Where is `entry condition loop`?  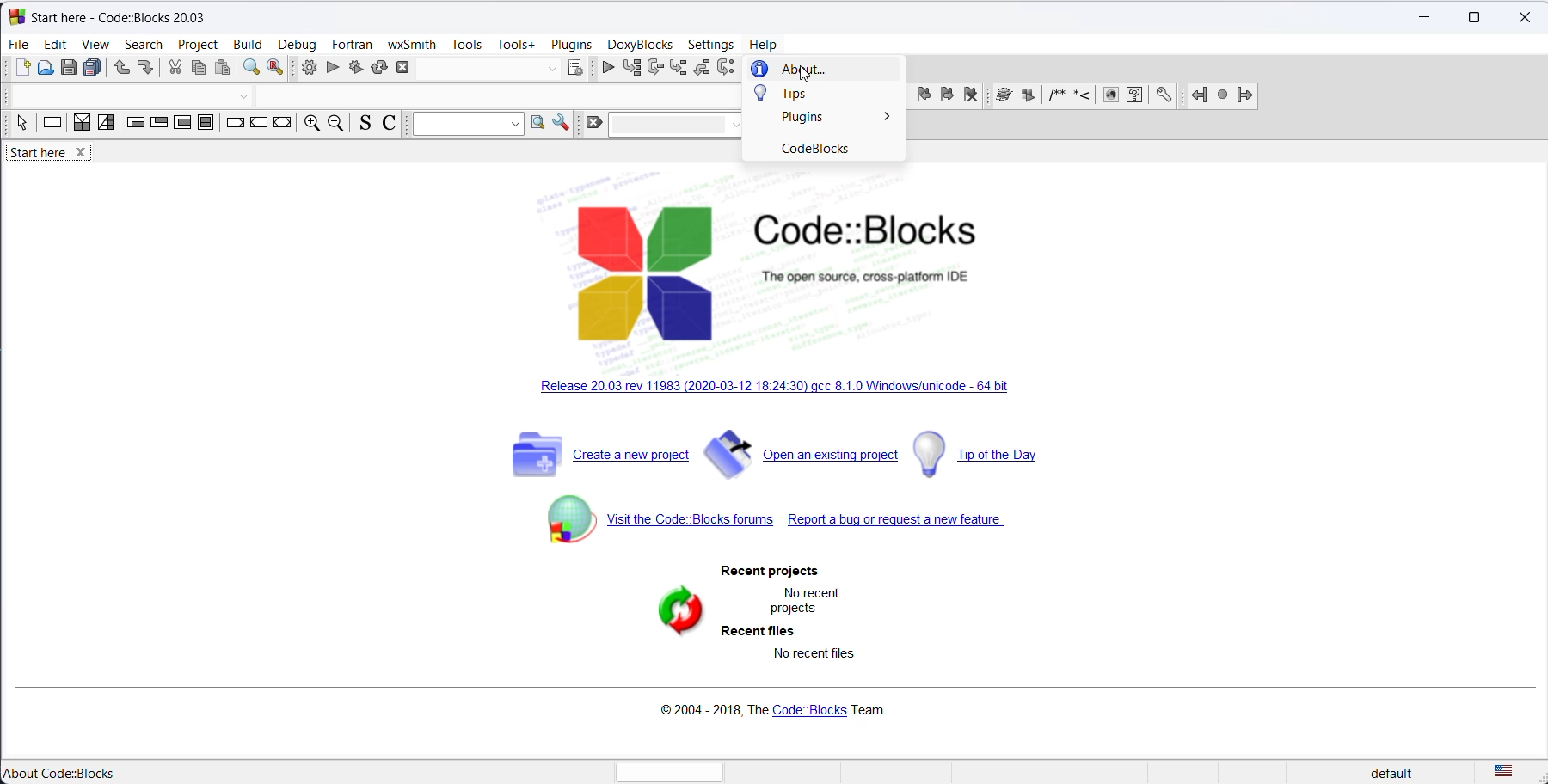
entry condition loop is located at coordinates (133, 126).